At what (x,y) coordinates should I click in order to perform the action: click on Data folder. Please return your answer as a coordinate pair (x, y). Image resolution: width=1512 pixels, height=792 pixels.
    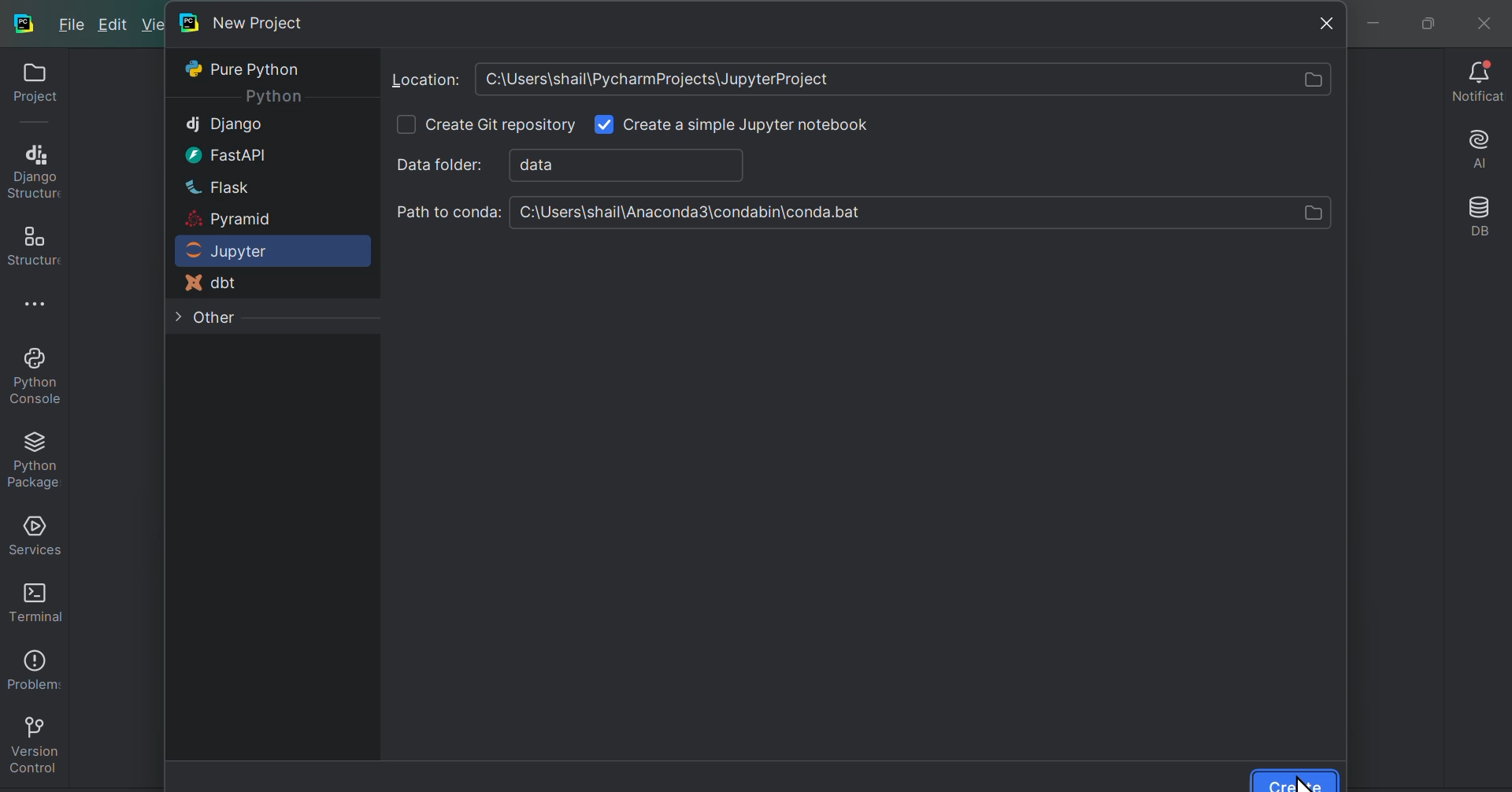
    Looking at the image, I should click on (608, 165).